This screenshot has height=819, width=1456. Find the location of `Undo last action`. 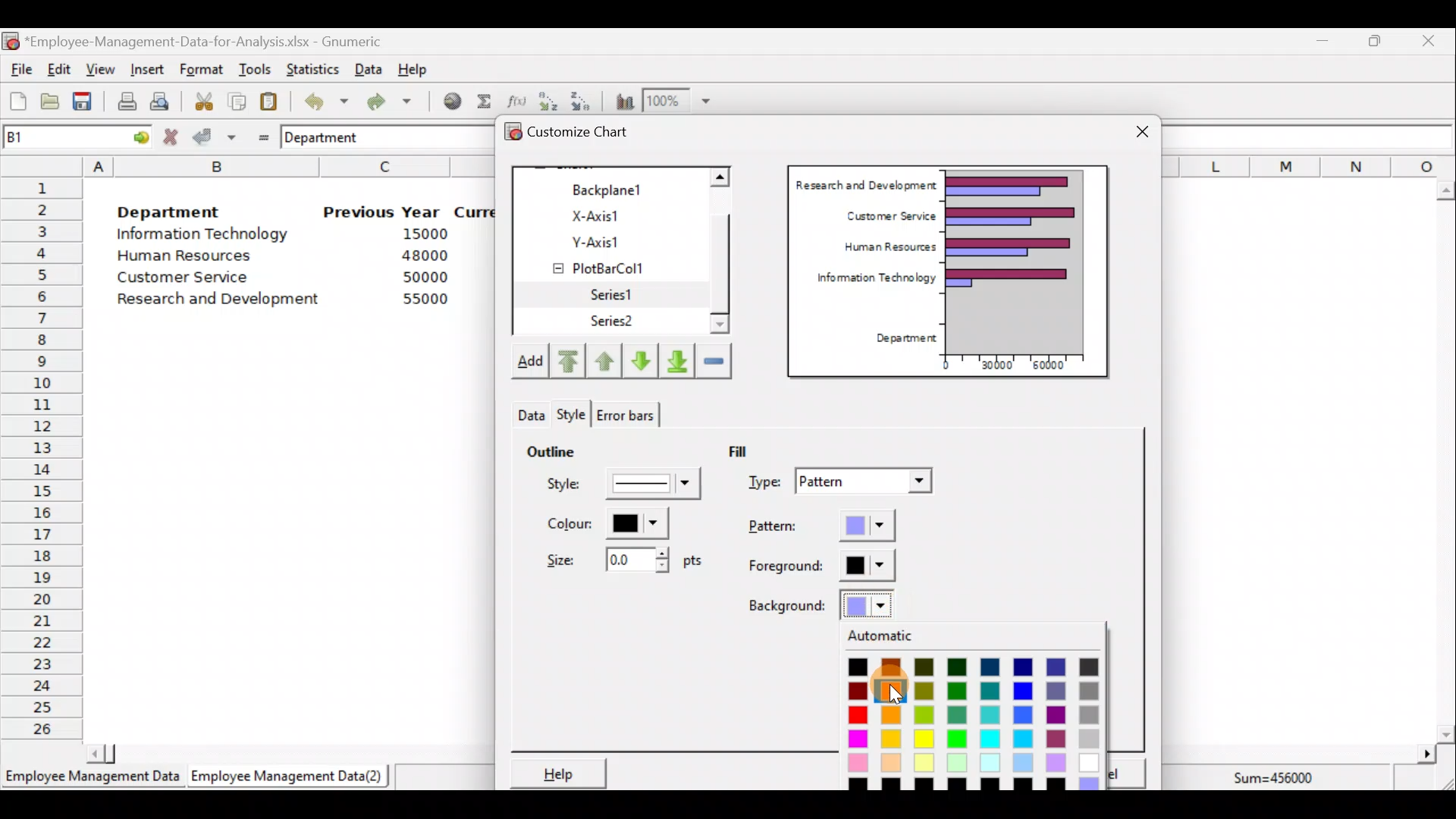

Undo last action is located at coordinates (318, 98).